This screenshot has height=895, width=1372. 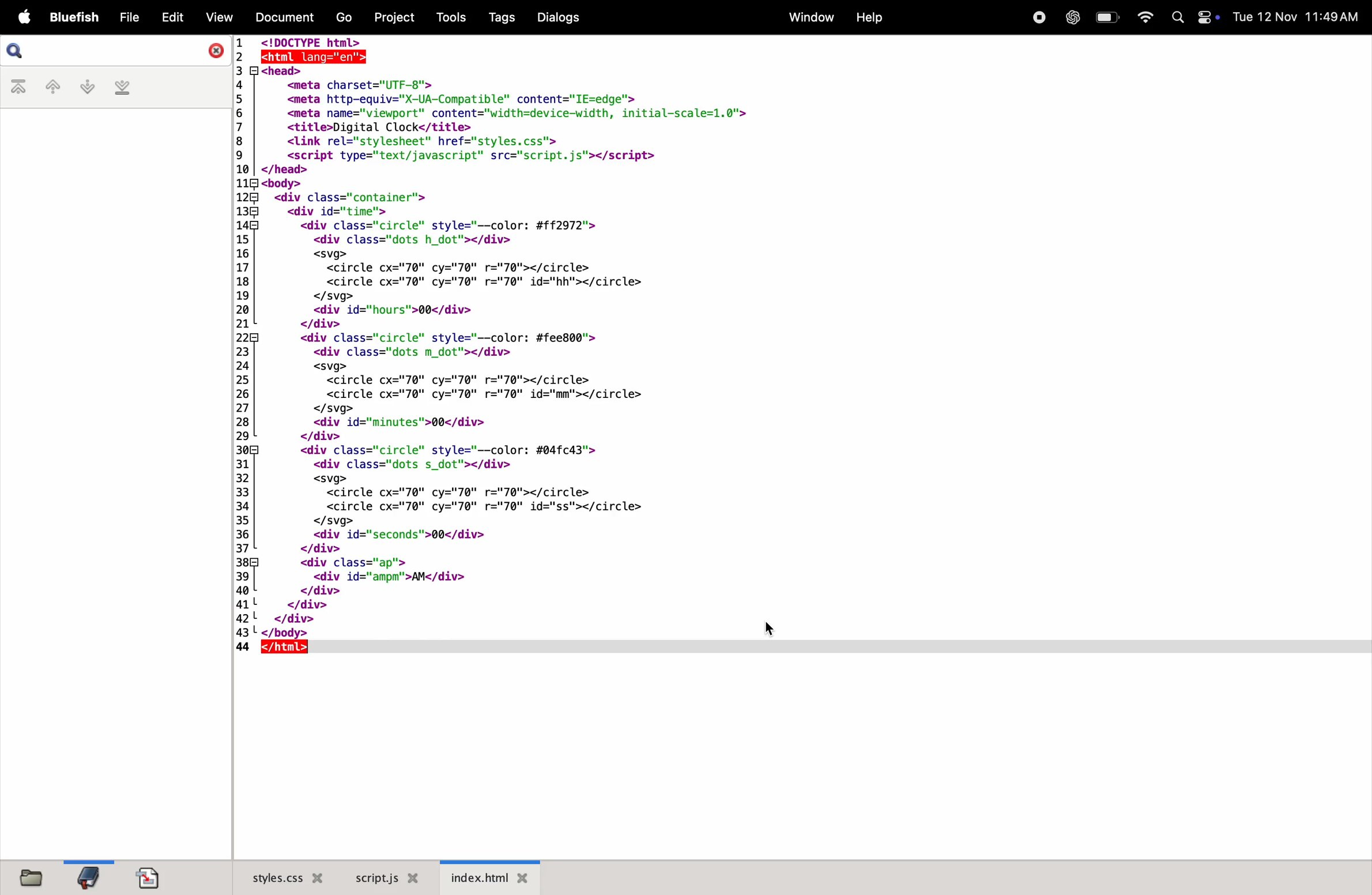 I want to click on tools, so click(x=450, y=17).